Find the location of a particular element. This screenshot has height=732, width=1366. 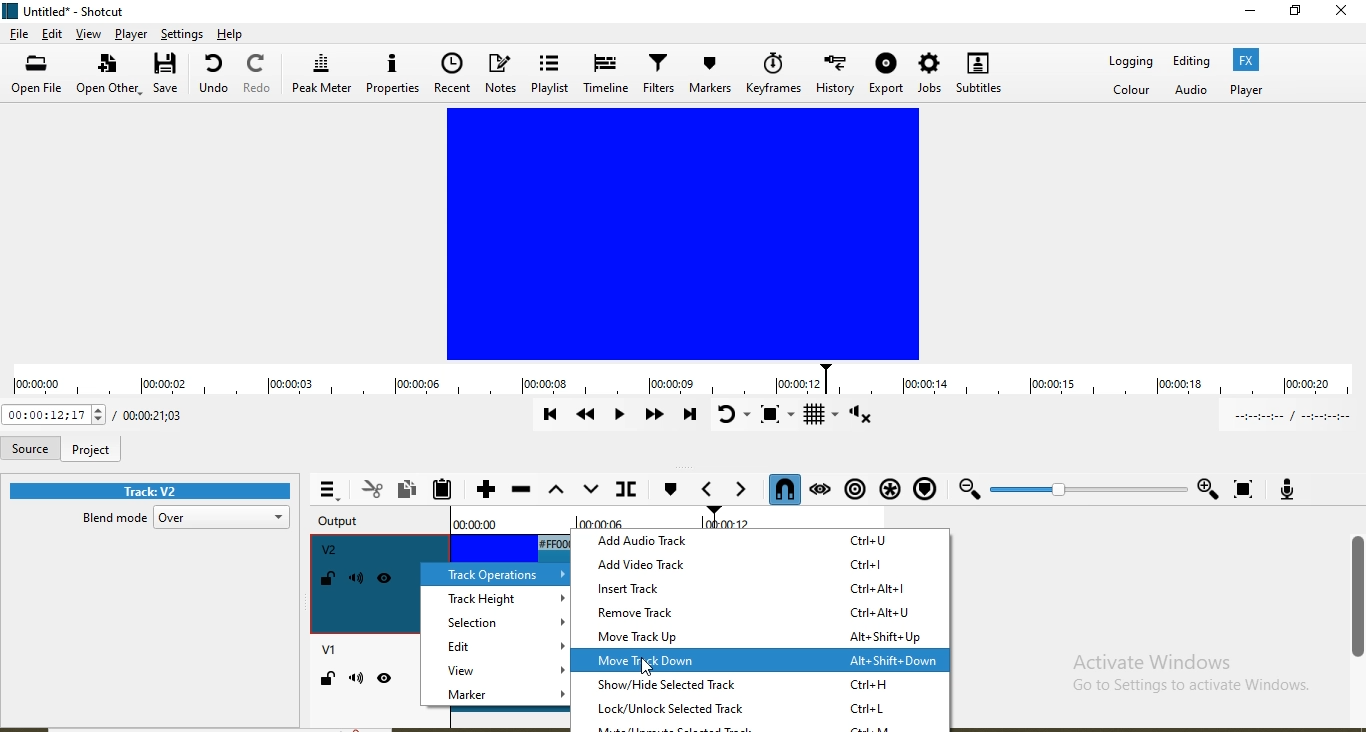

Lift is located at coordinates (556, 491).